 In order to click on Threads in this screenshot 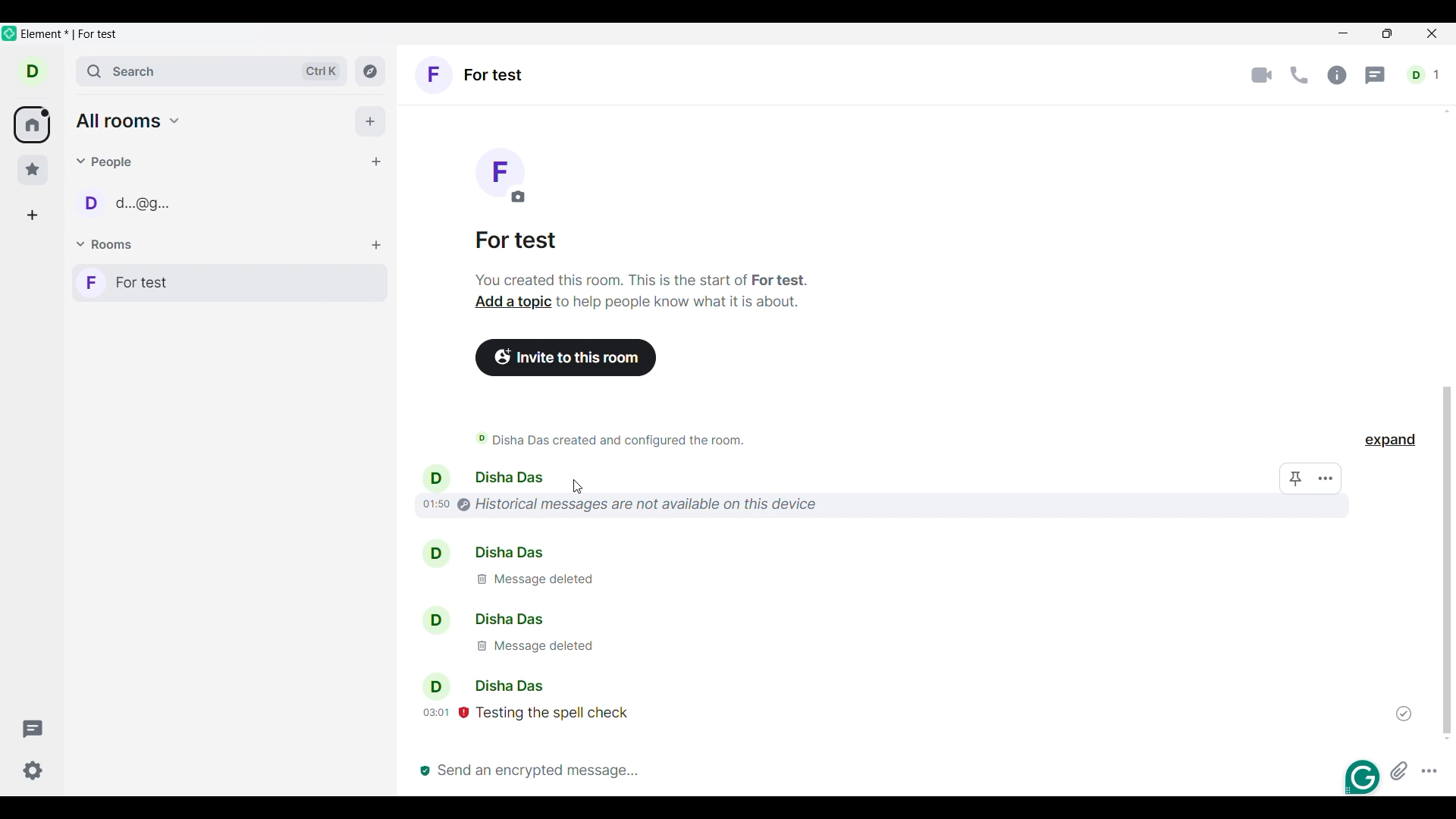, I will do `click(1376, 76)`.